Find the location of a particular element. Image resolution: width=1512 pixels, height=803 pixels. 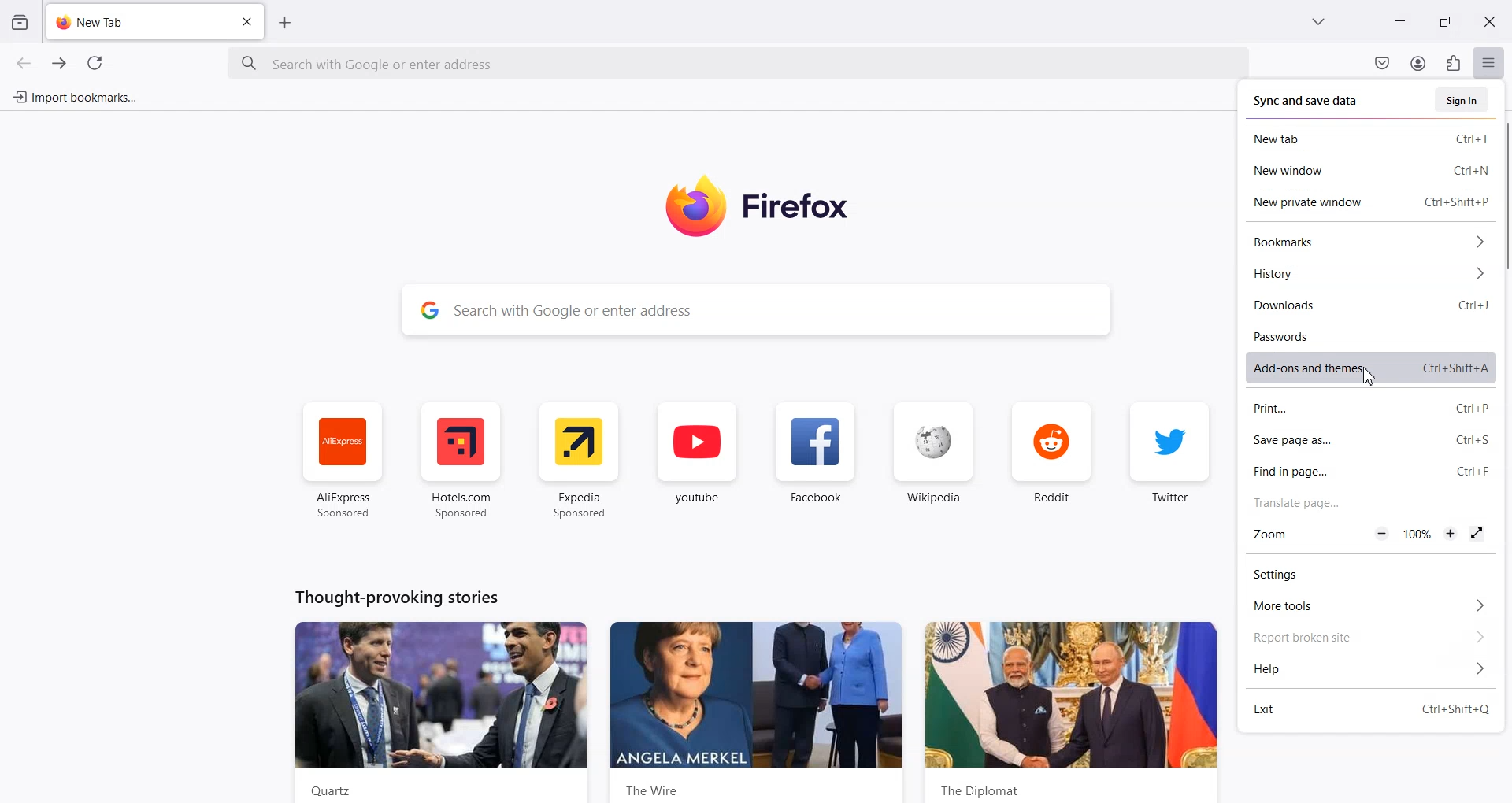

Find in Page is located at coordinates (1366, 470).